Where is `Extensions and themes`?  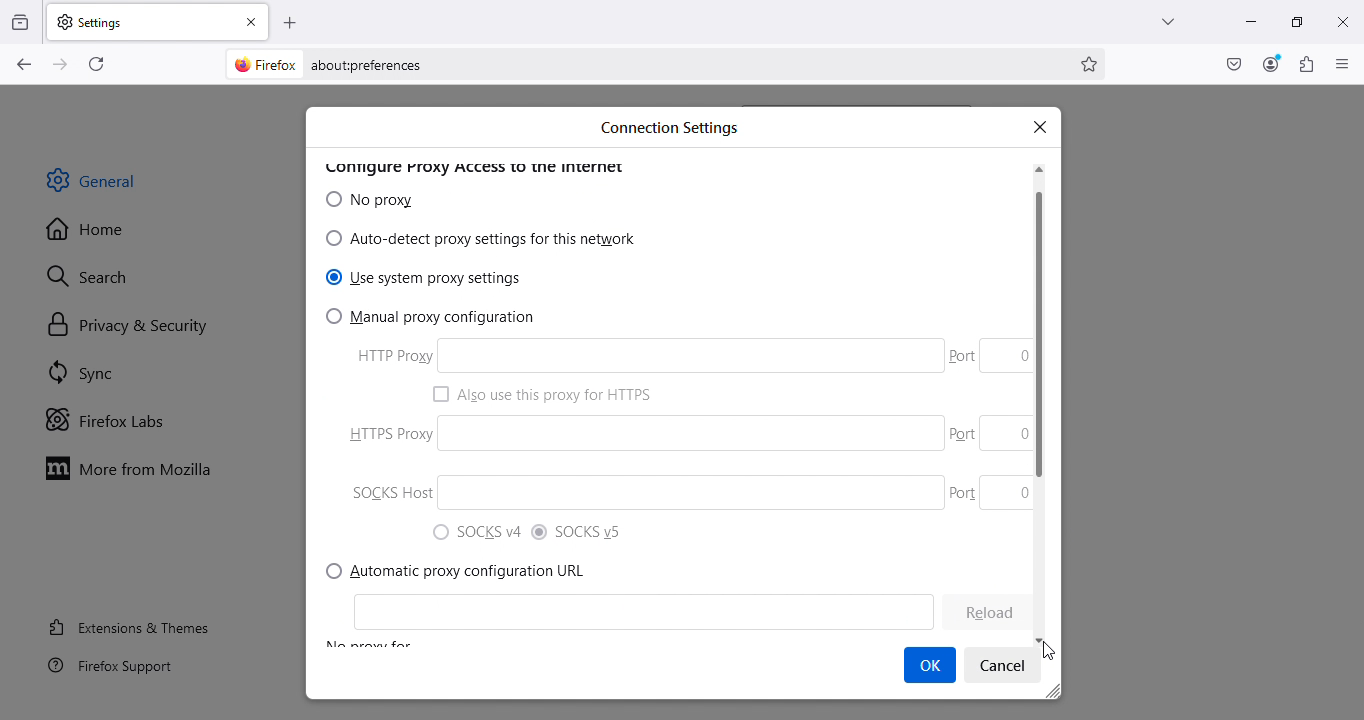
Extensions and themes is located at coordinates (129, 630).